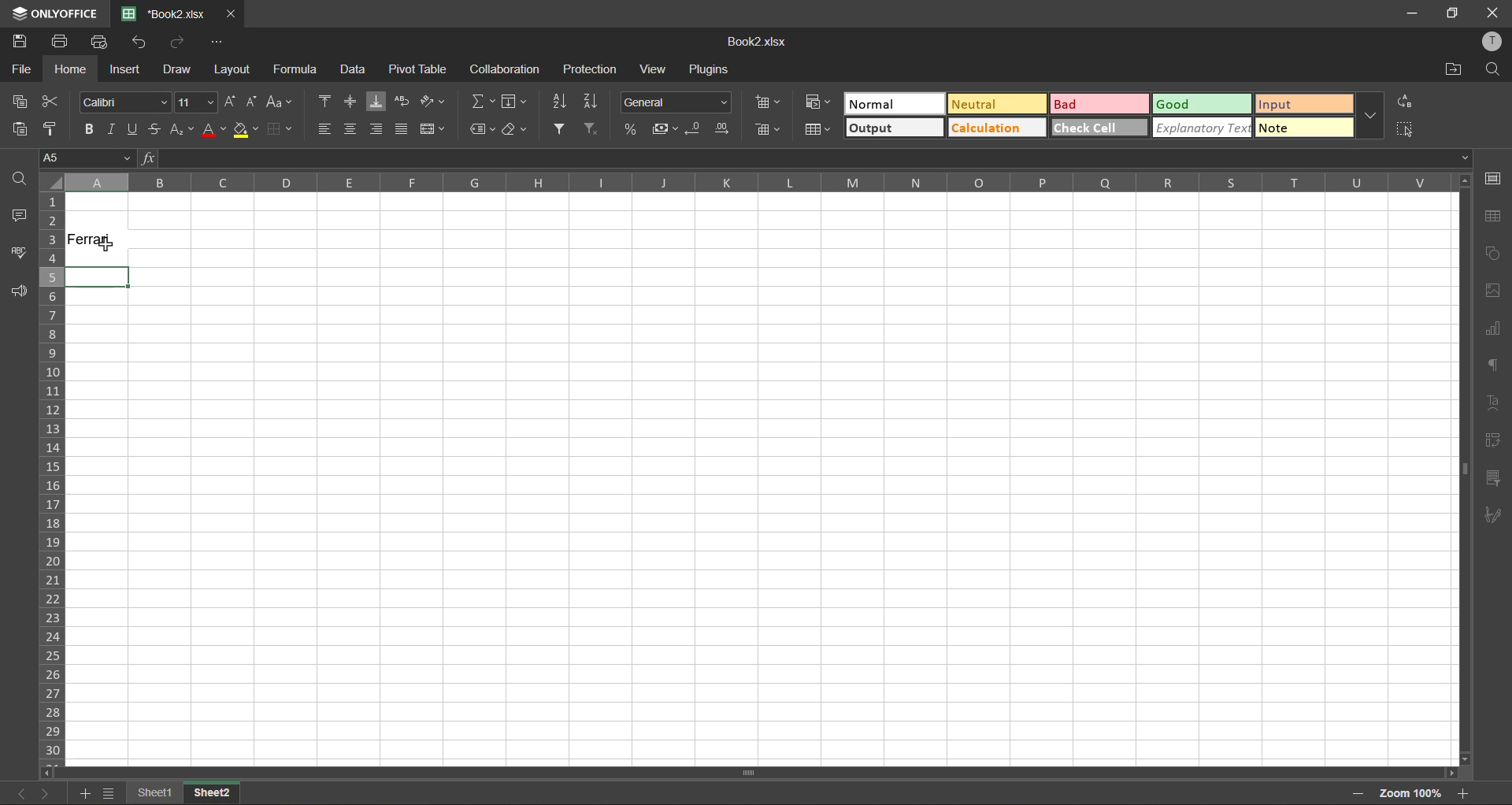 This screenshot has height=805, width=1512. I want to click on calculation, so click(994, 129).